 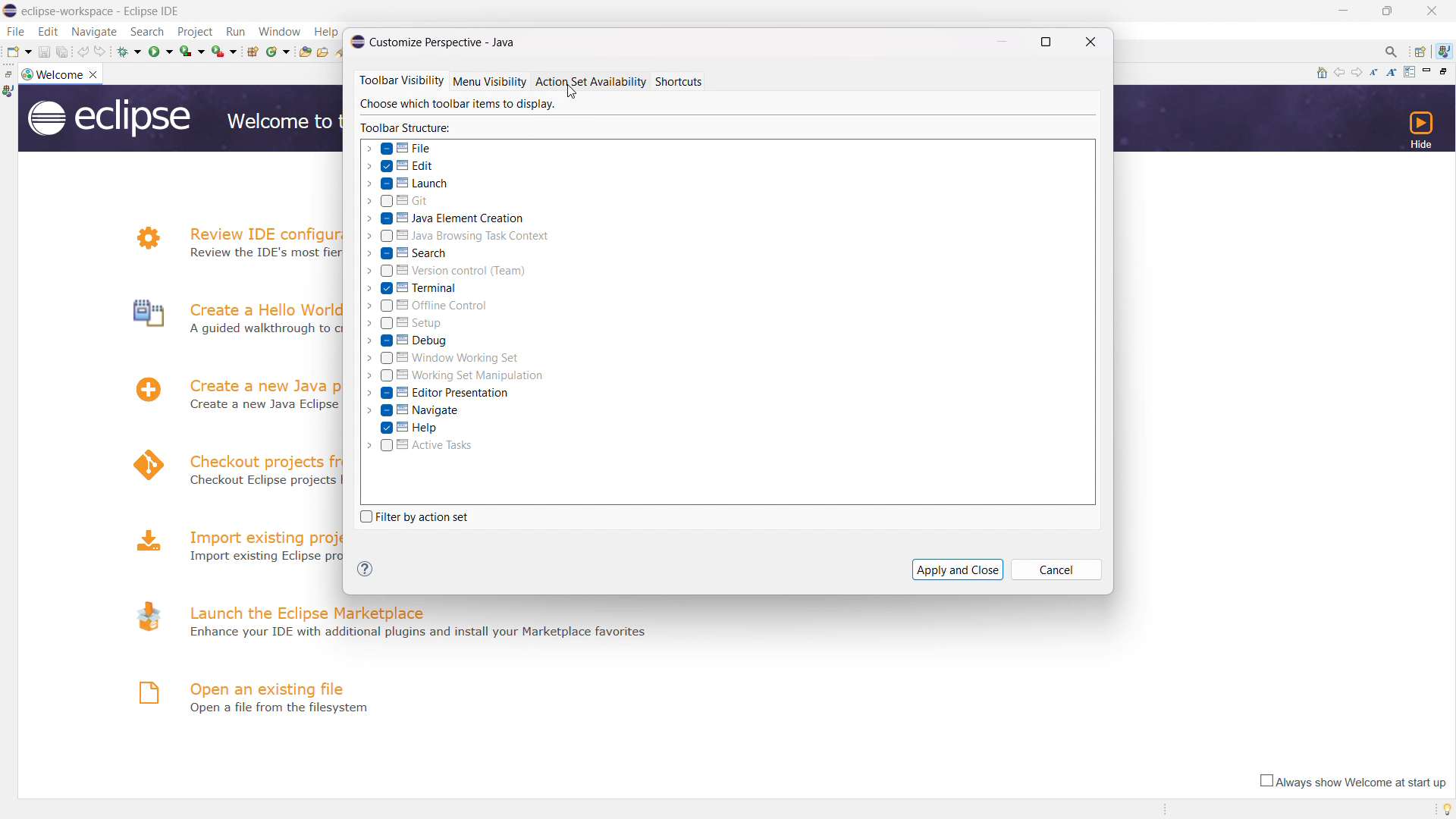 I want to click on new java class, so click(x=278, y=52).